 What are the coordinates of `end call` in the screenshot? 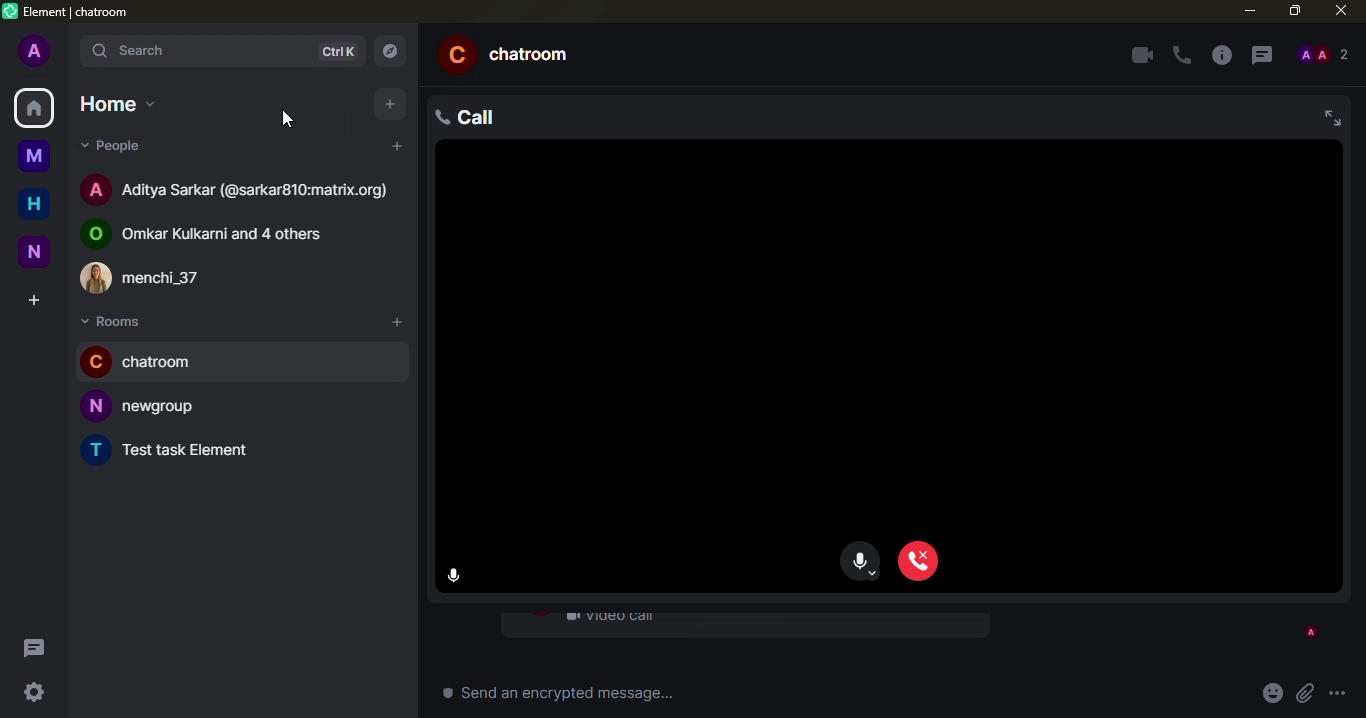 It's located at (917, 562).